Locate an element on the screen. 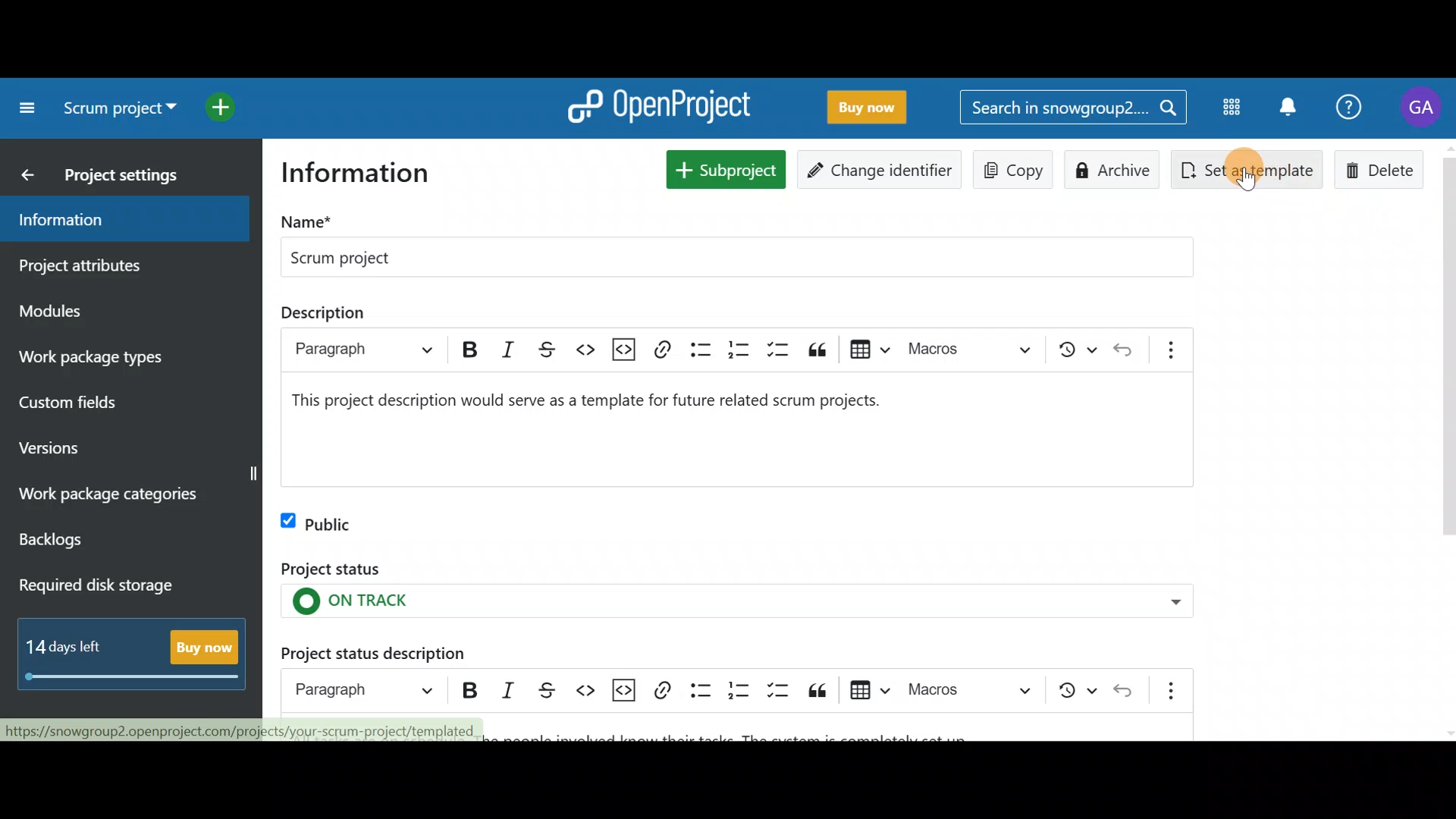 Image resolution: width=1456 pixels, height=819 pixels. Bulleted list is located at coordinates (700, 689).